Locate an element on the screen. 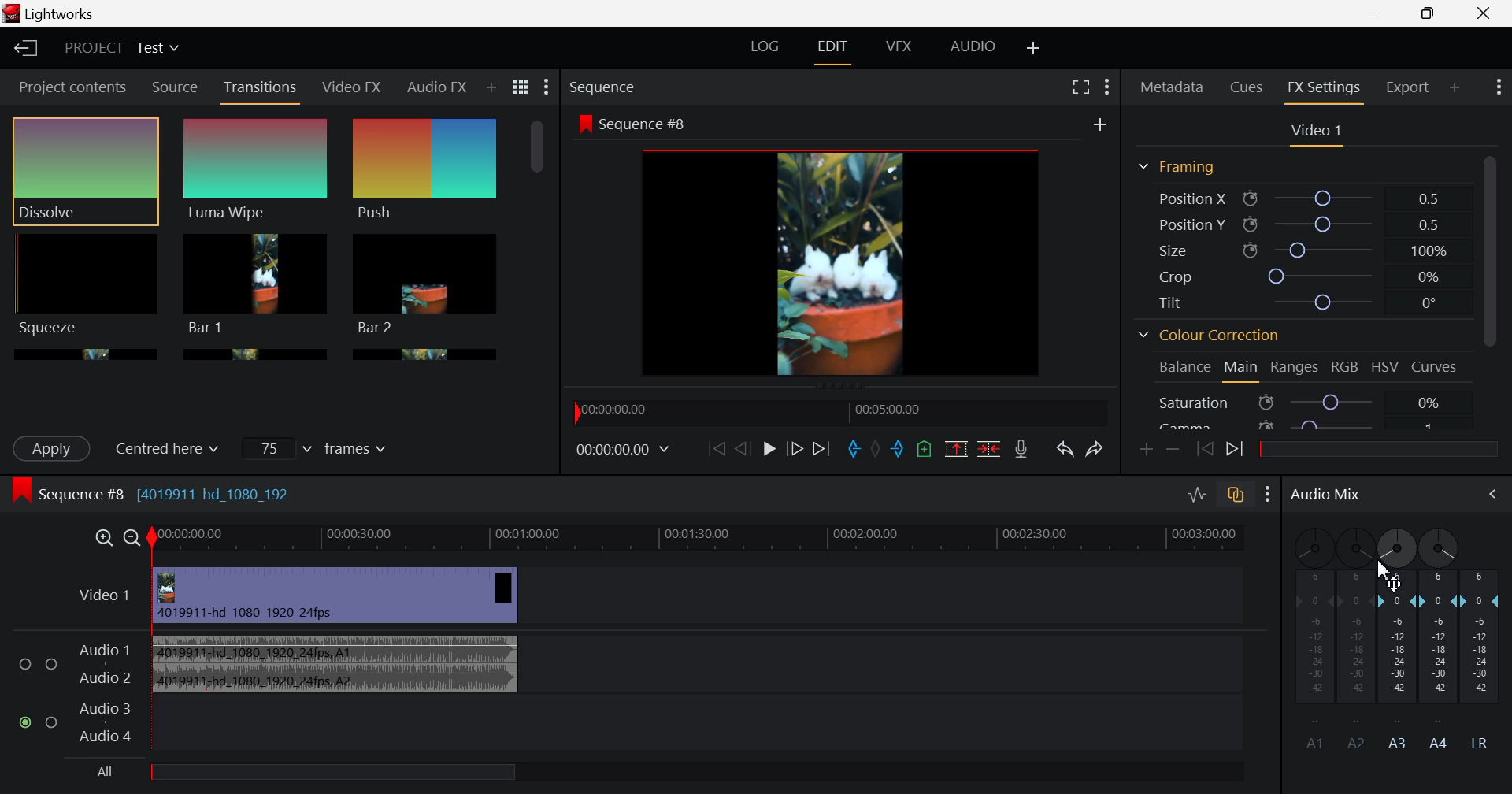 This screenshot has width=1512, height=794. Audio FX is located at coordinates (435, 90).